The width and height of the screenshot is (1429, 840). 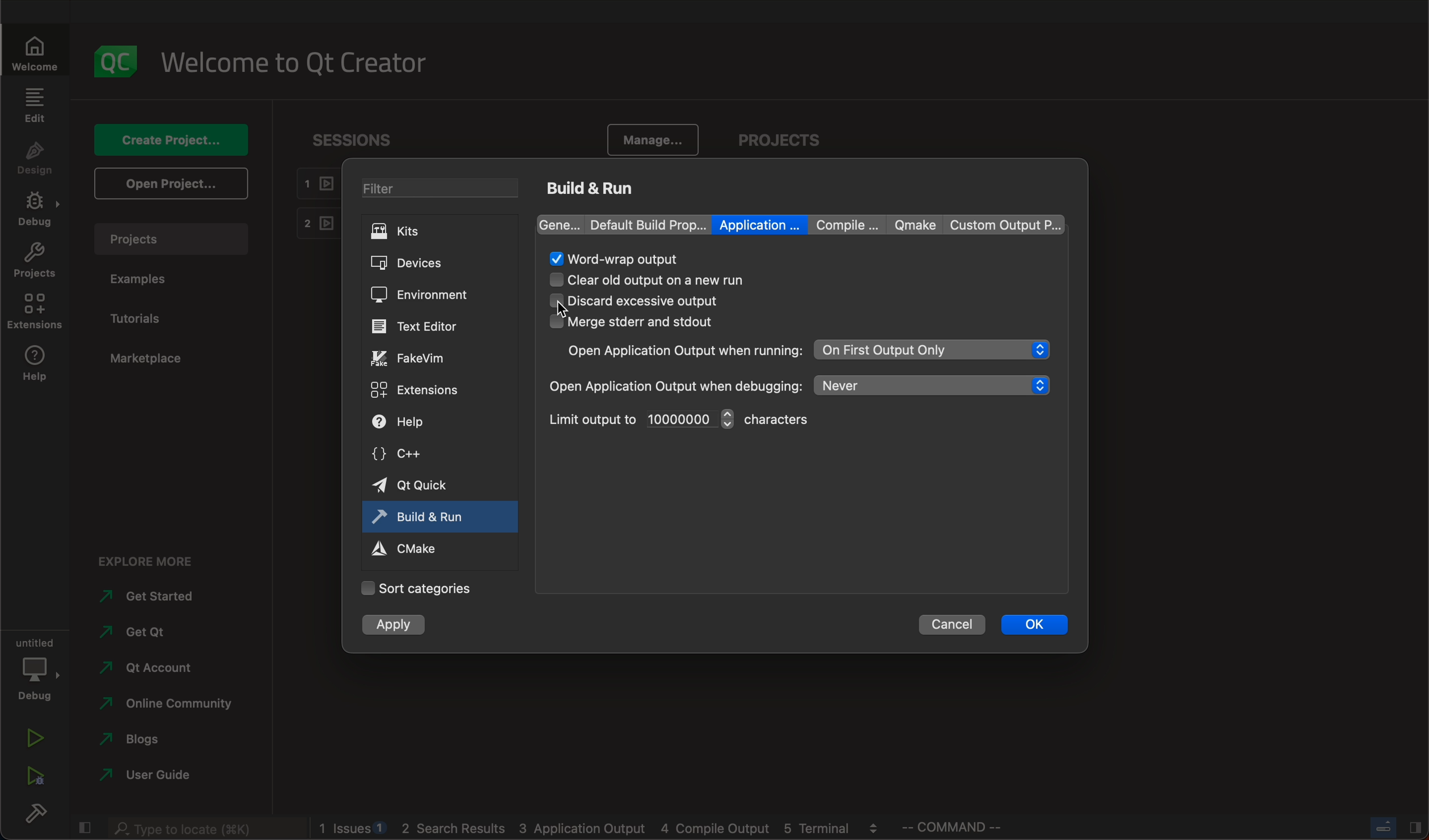 What do you see at coordinates (149, 561) in the screenshot?
I see `explore` at bounding box center [149, 561].